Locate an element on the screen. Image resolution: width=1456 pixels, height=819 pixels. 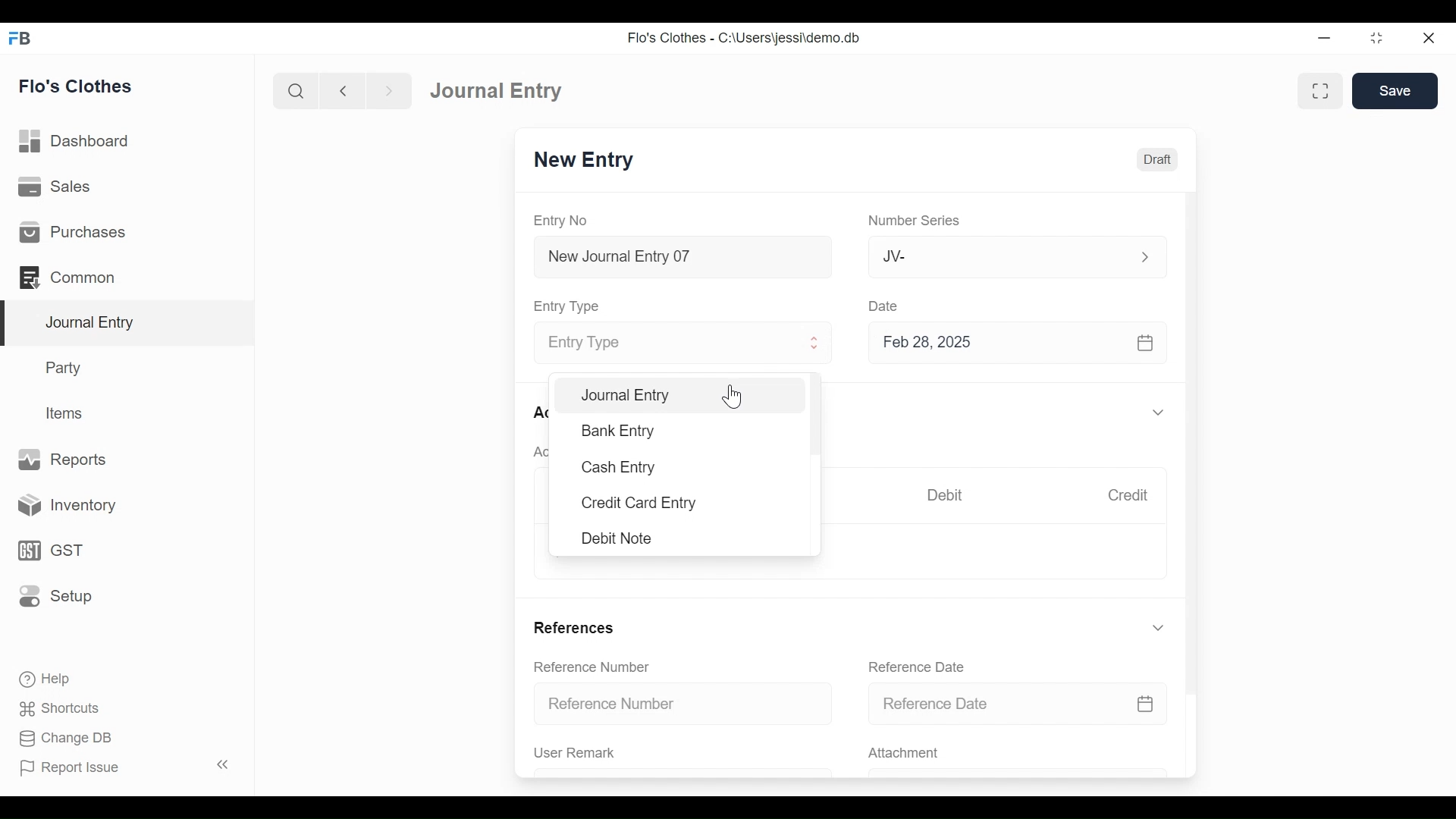
Expand is located at coordinates (1158, 412).